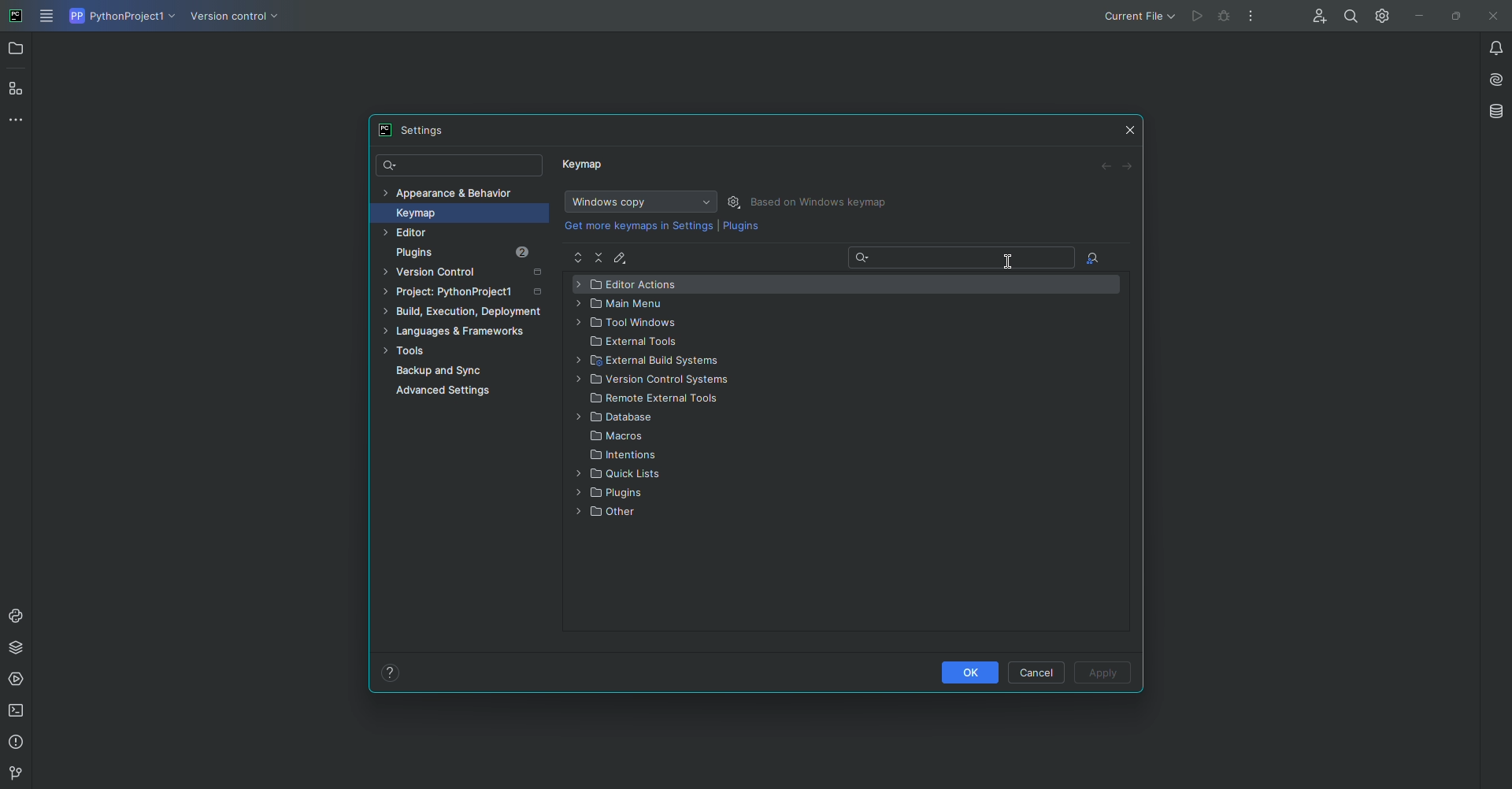 Image resolution: width=1512 pixels, height=789 pixels. What do you see at coordinates (1379, 15) in the screenshot?
I see `Settings` at bounding box center [1379, 15].